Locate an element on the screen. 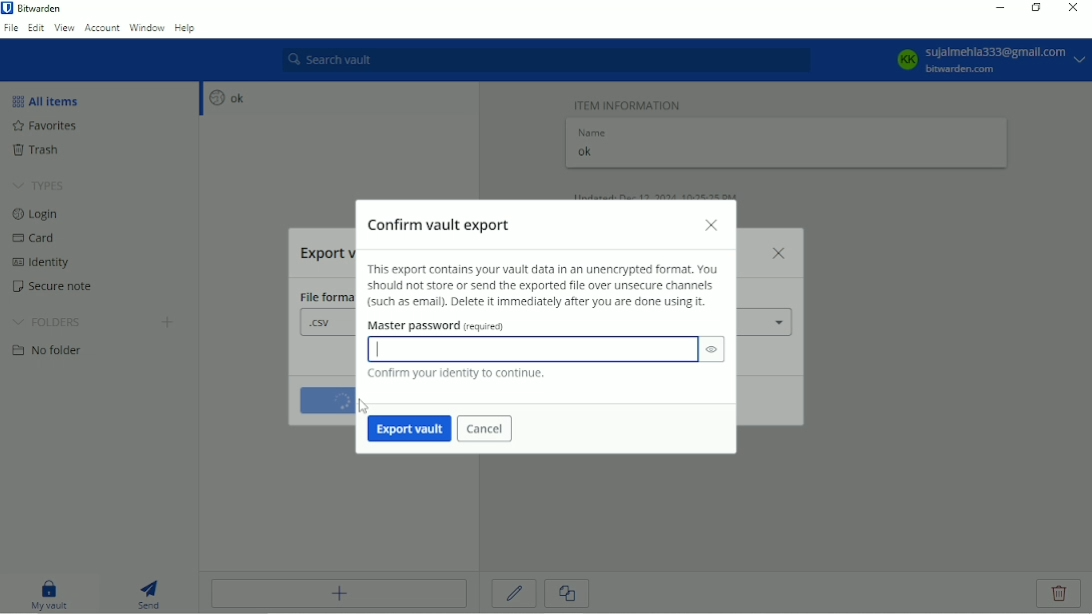  Send is located at coordinates (150, 592).